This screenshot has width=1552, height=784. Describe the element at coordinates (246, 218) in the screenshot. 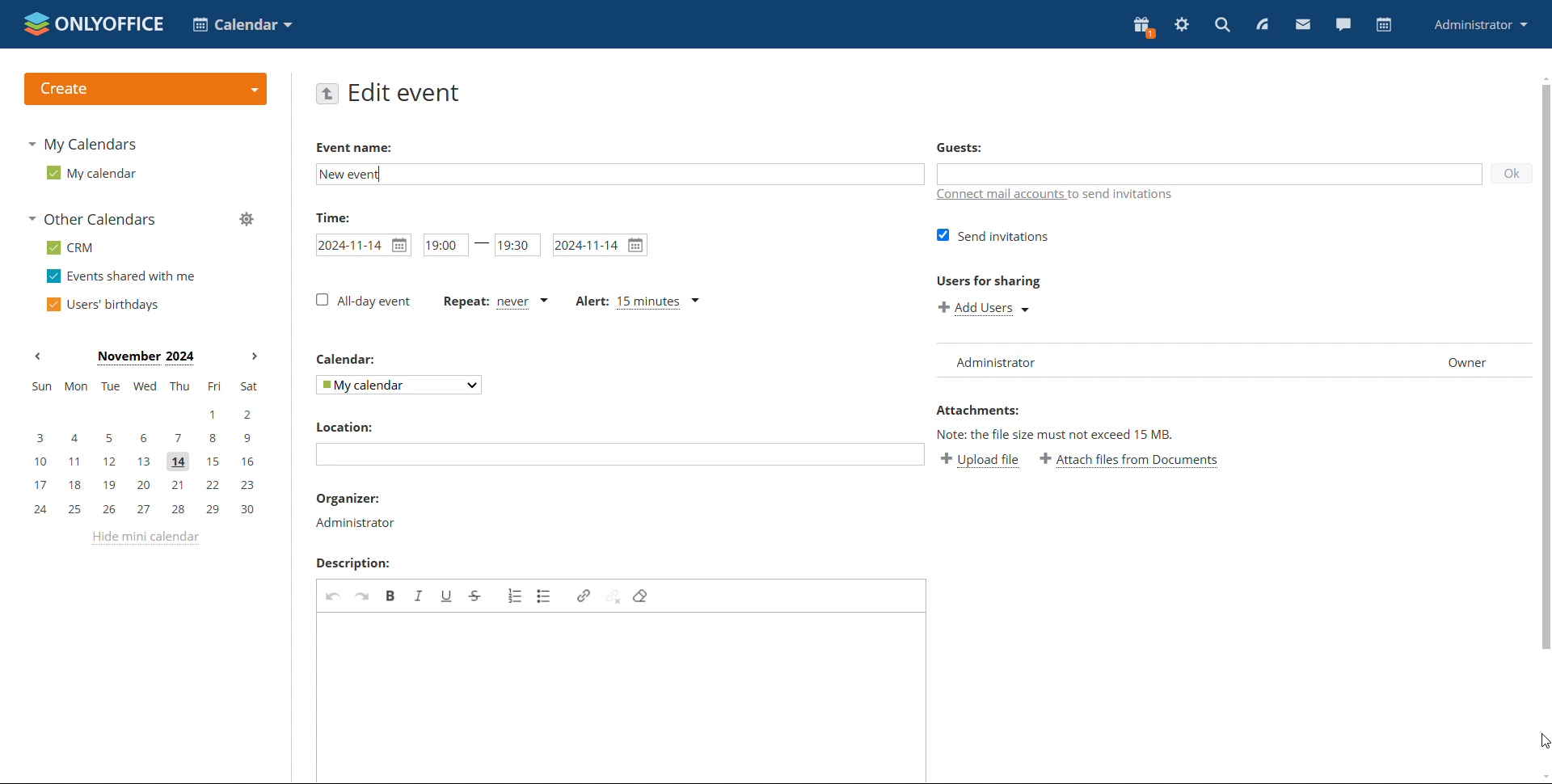

I see `manage` at that location.